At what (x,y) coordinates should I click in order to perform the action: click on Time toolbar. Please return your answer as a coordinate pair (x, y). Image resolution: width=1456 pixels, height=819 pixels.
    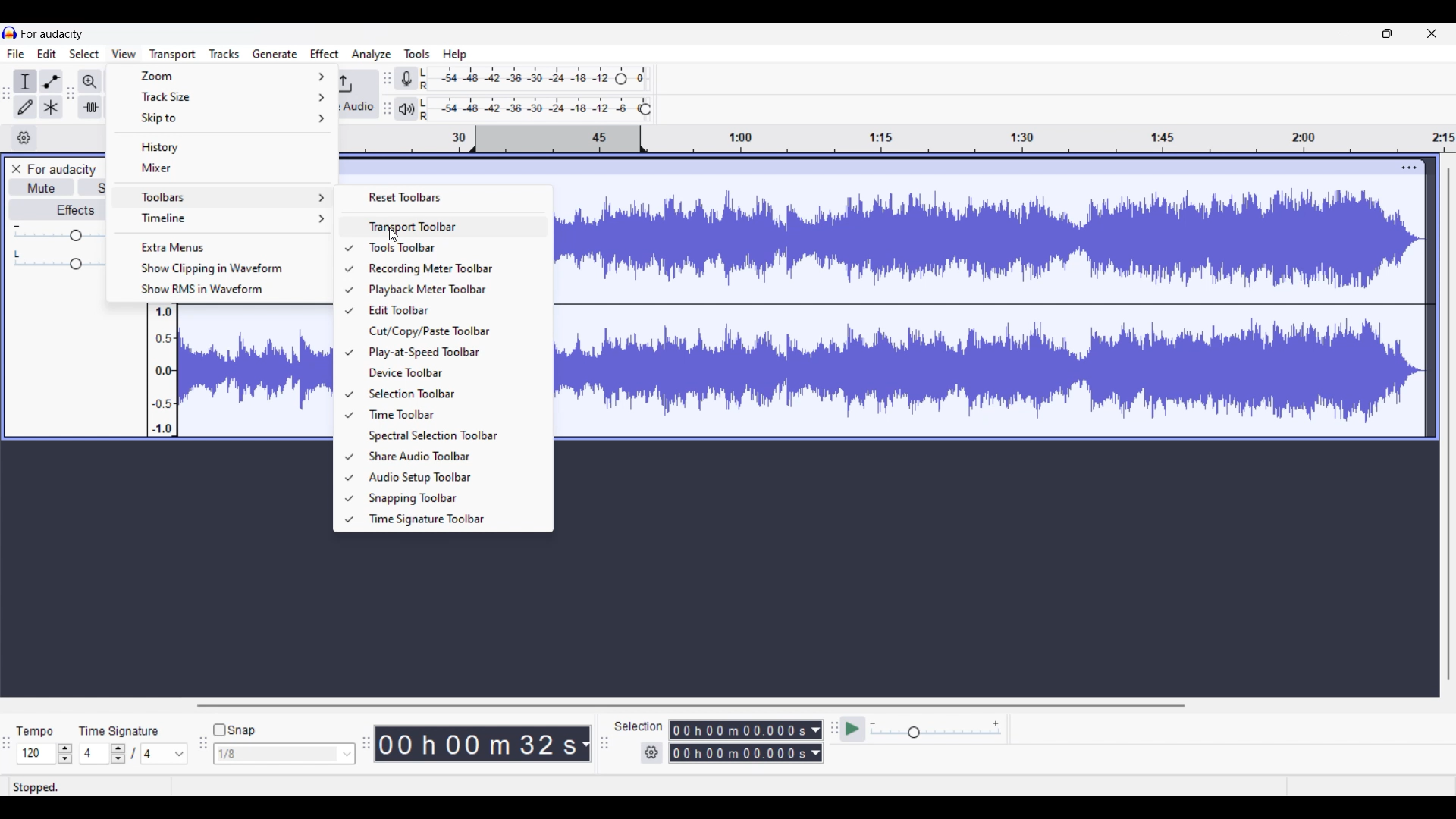
    Looking at the image, I should click on (453, 414).